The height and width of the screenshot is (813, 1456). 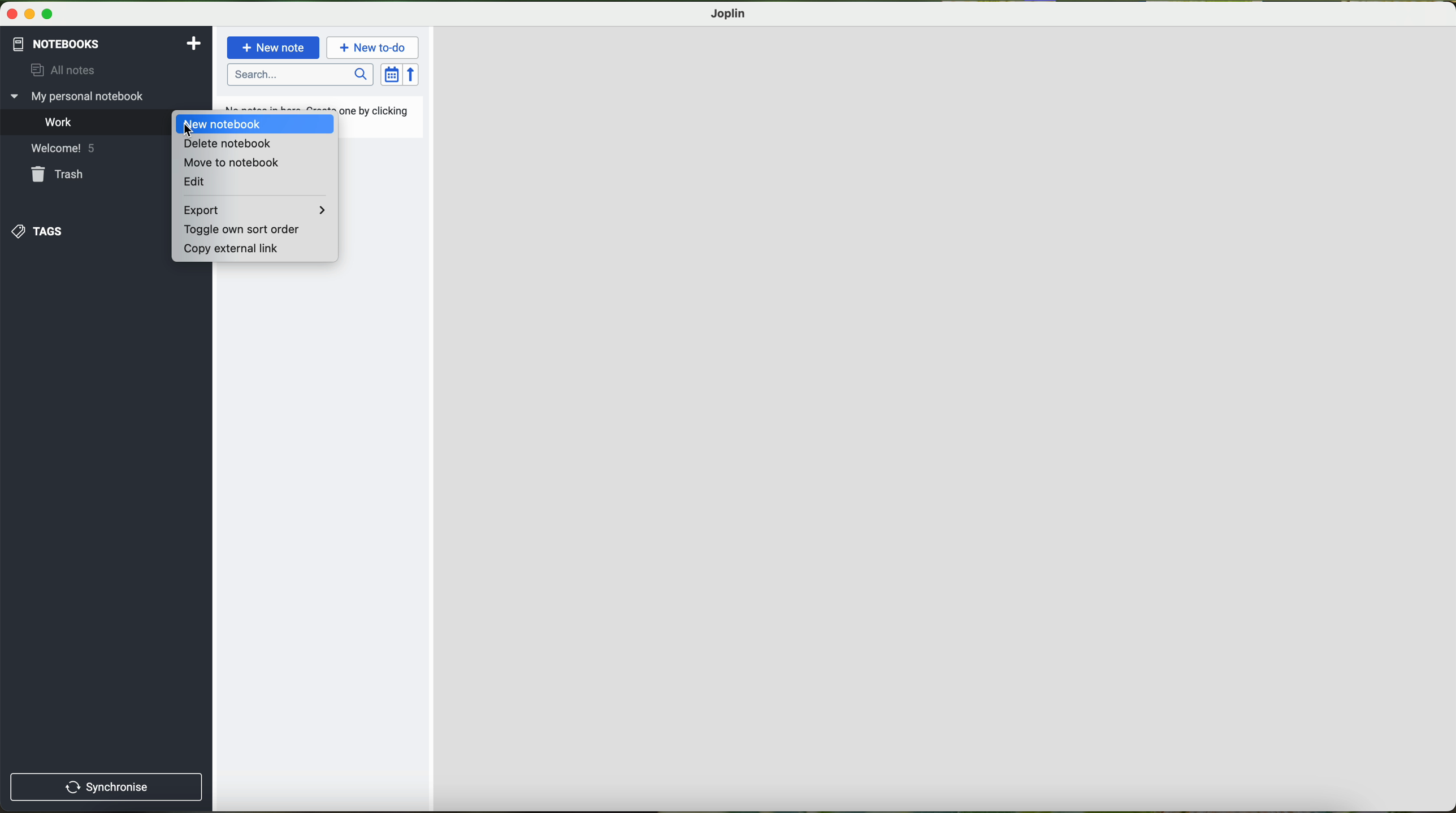 I want to click on joplin, so click(x=729, y=14).